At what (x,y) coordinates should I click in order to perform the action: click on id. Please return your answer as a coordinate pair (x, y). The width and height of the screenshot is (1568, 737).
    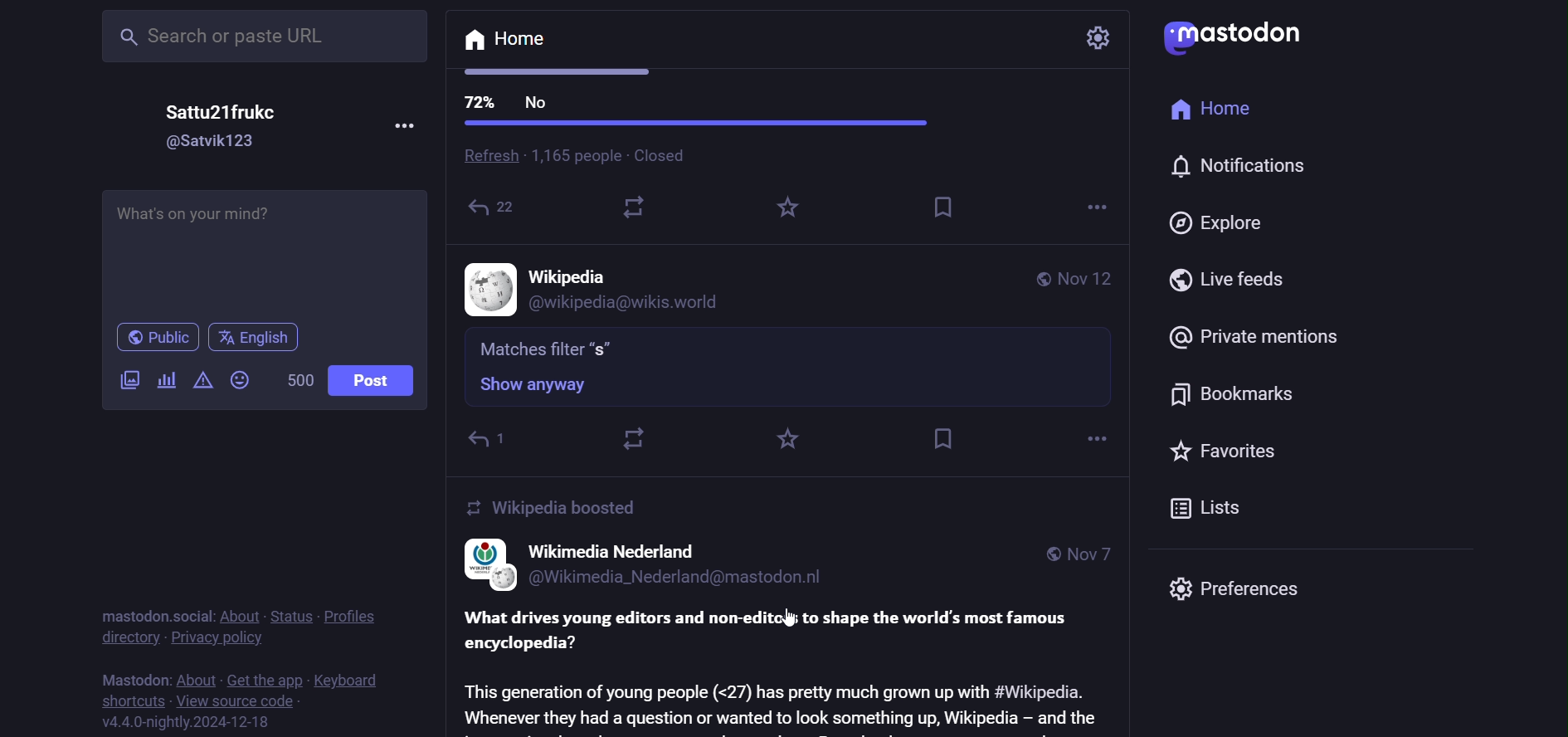
    Looking at the image, I should click on (202, 144).